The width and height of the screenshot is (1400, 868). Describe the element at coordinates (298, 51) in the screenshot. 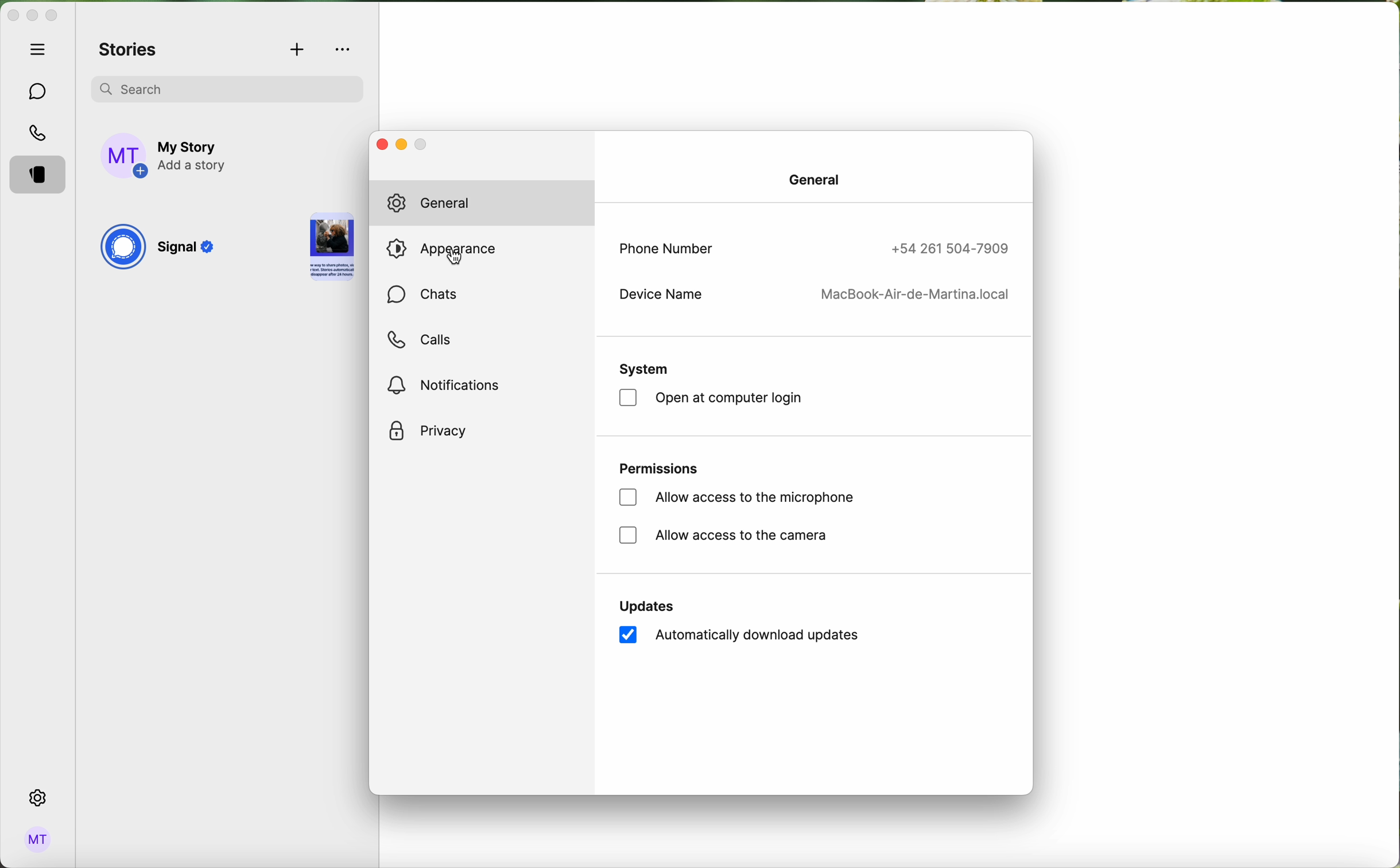

I see `add` at that location.